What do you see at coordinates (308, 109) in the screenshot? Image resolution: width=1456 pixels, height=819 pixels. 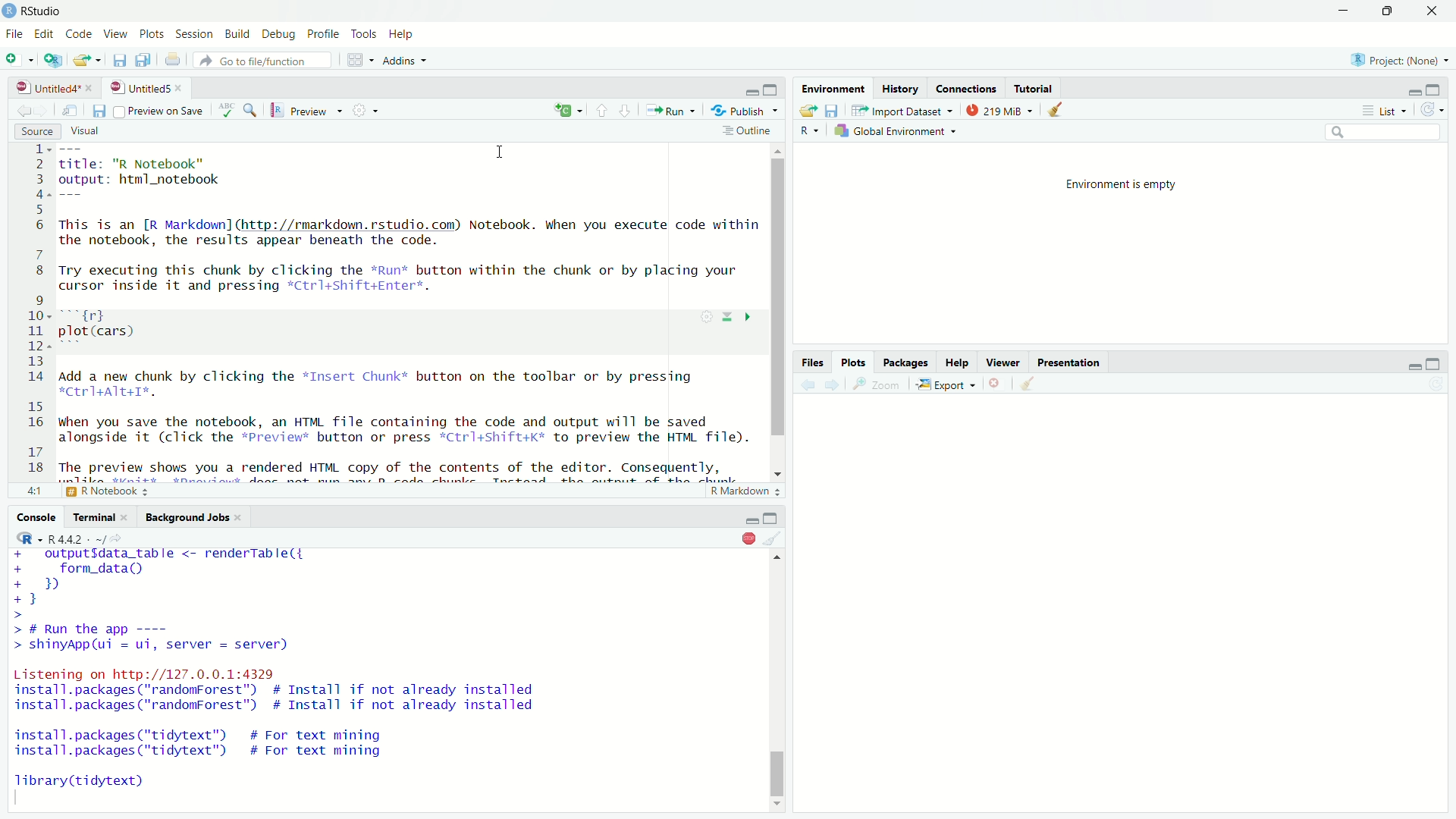 I see `preview` at bounding box center [308, 109].